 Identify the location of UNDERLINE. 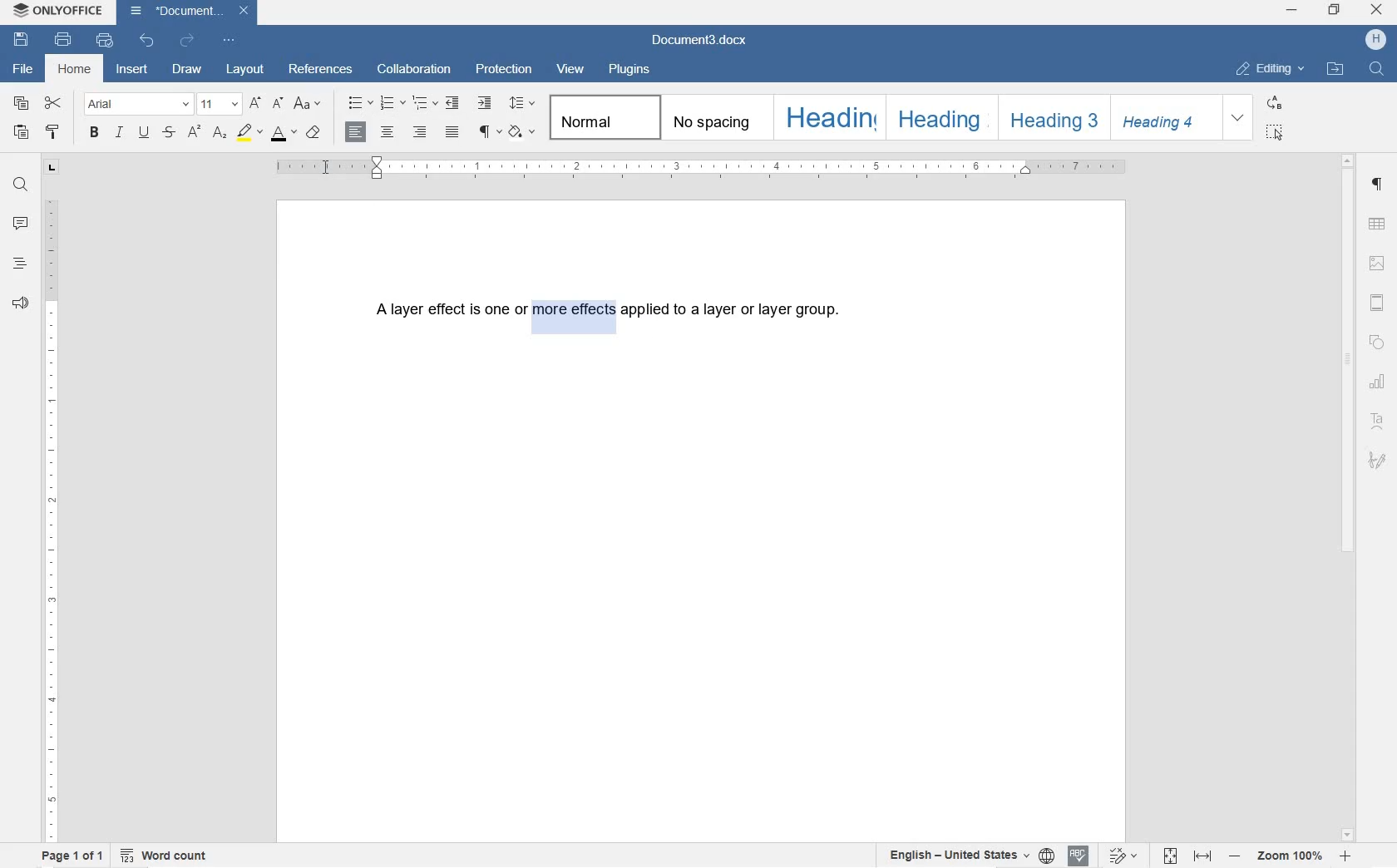
(144, 133).